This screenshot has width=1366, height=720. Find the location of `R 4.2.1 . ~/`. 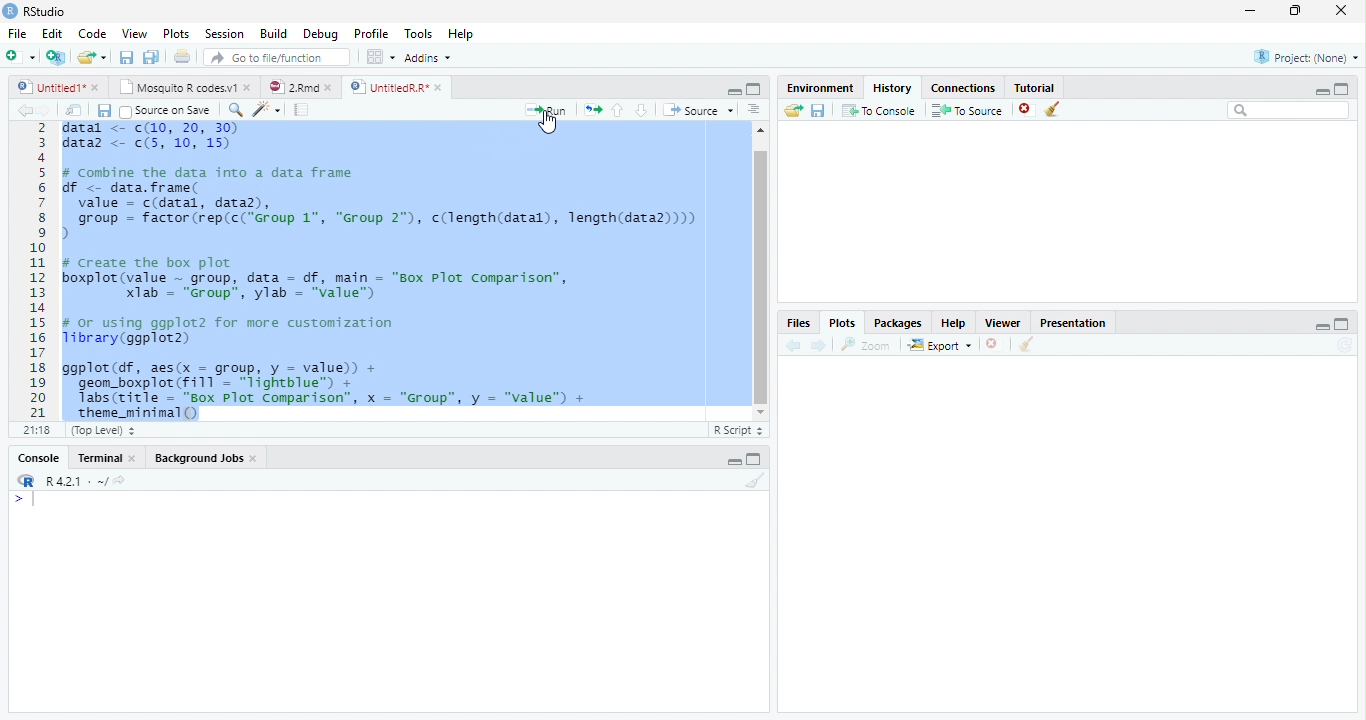

R 4.2.1 . ~/ is located at coordinates (76, 480).